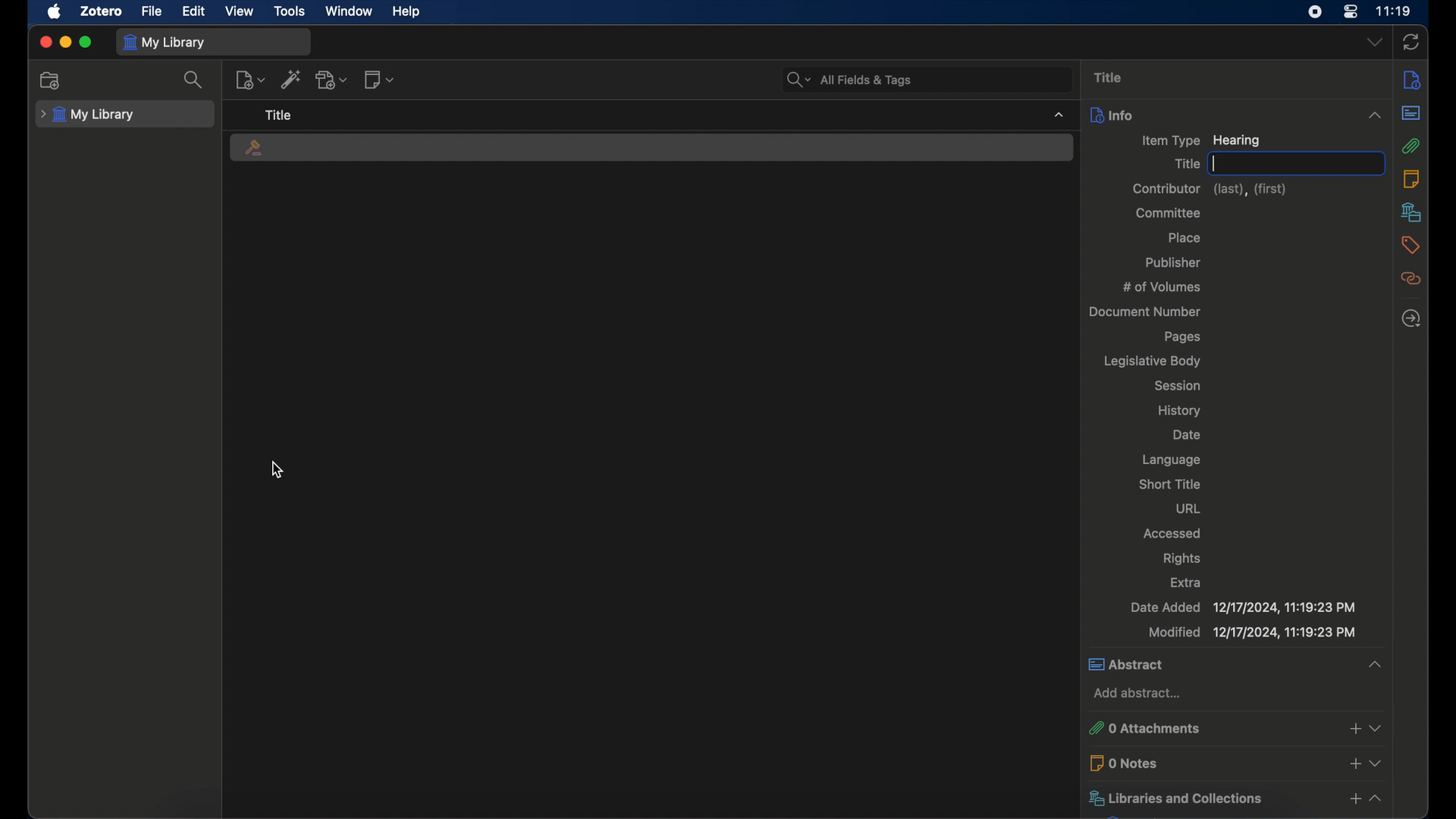  I want to click on 0 attachments, so click(1238, 729).